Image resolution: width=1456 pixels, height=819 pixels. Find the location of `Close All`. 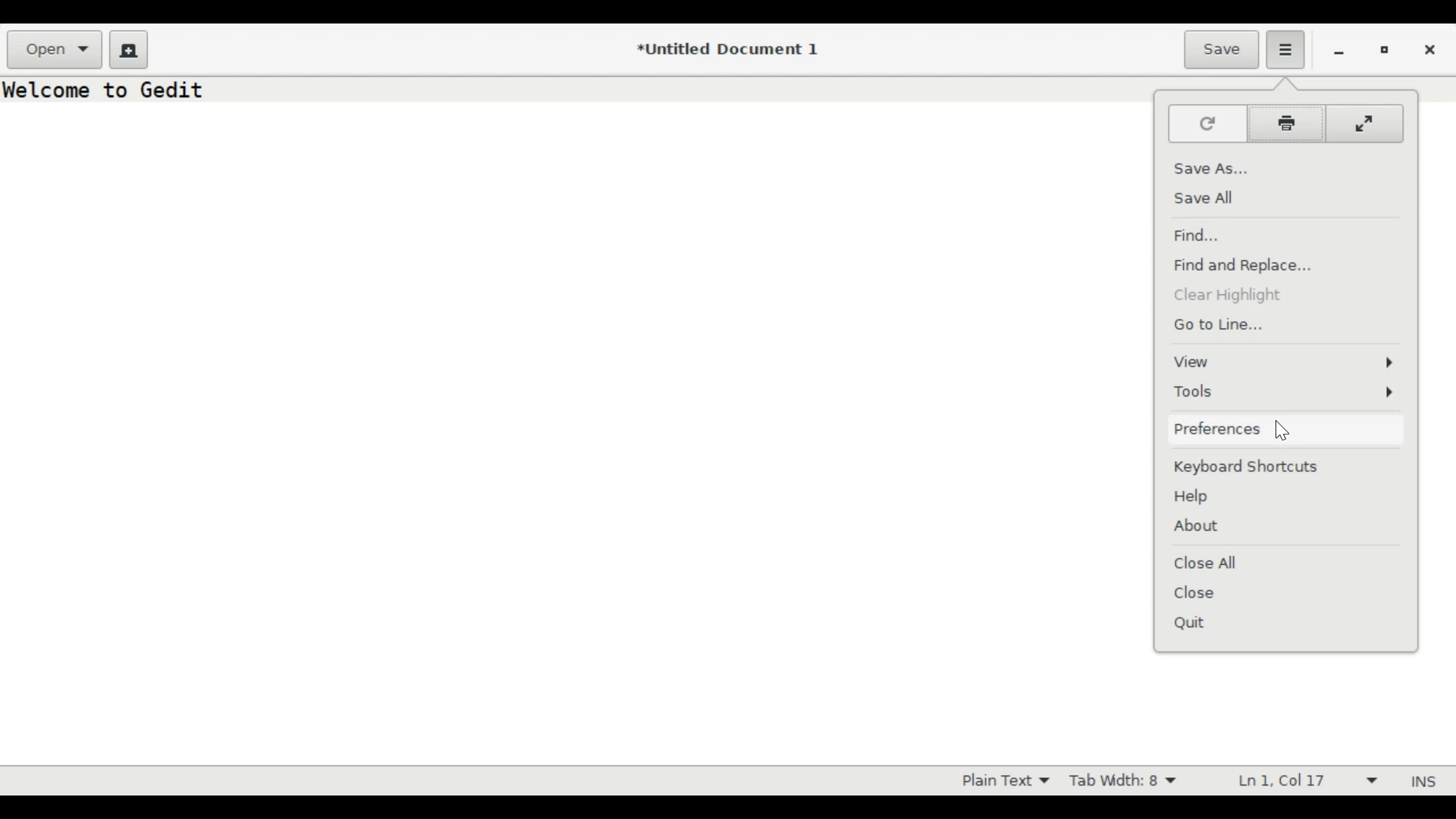

Close All is located at coordinates (1213, 561).